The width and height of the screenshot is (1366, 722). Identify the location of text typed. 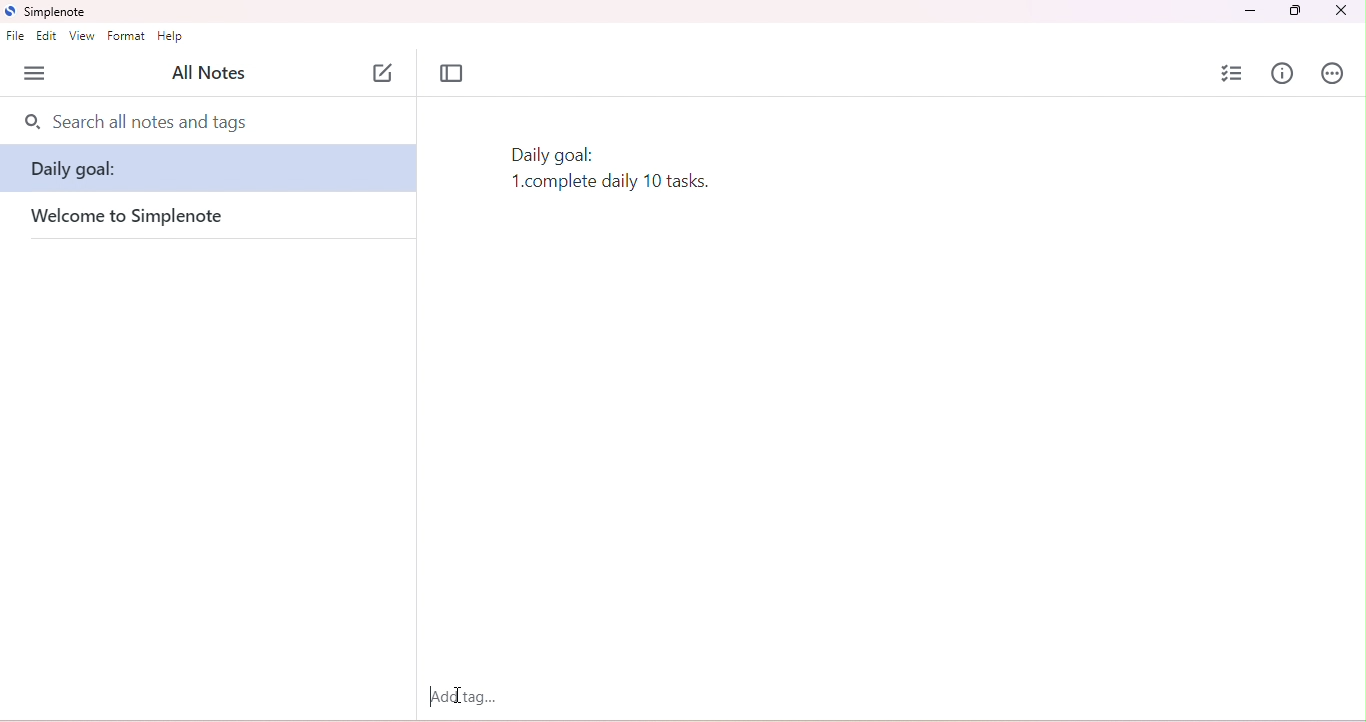
(621, 171).